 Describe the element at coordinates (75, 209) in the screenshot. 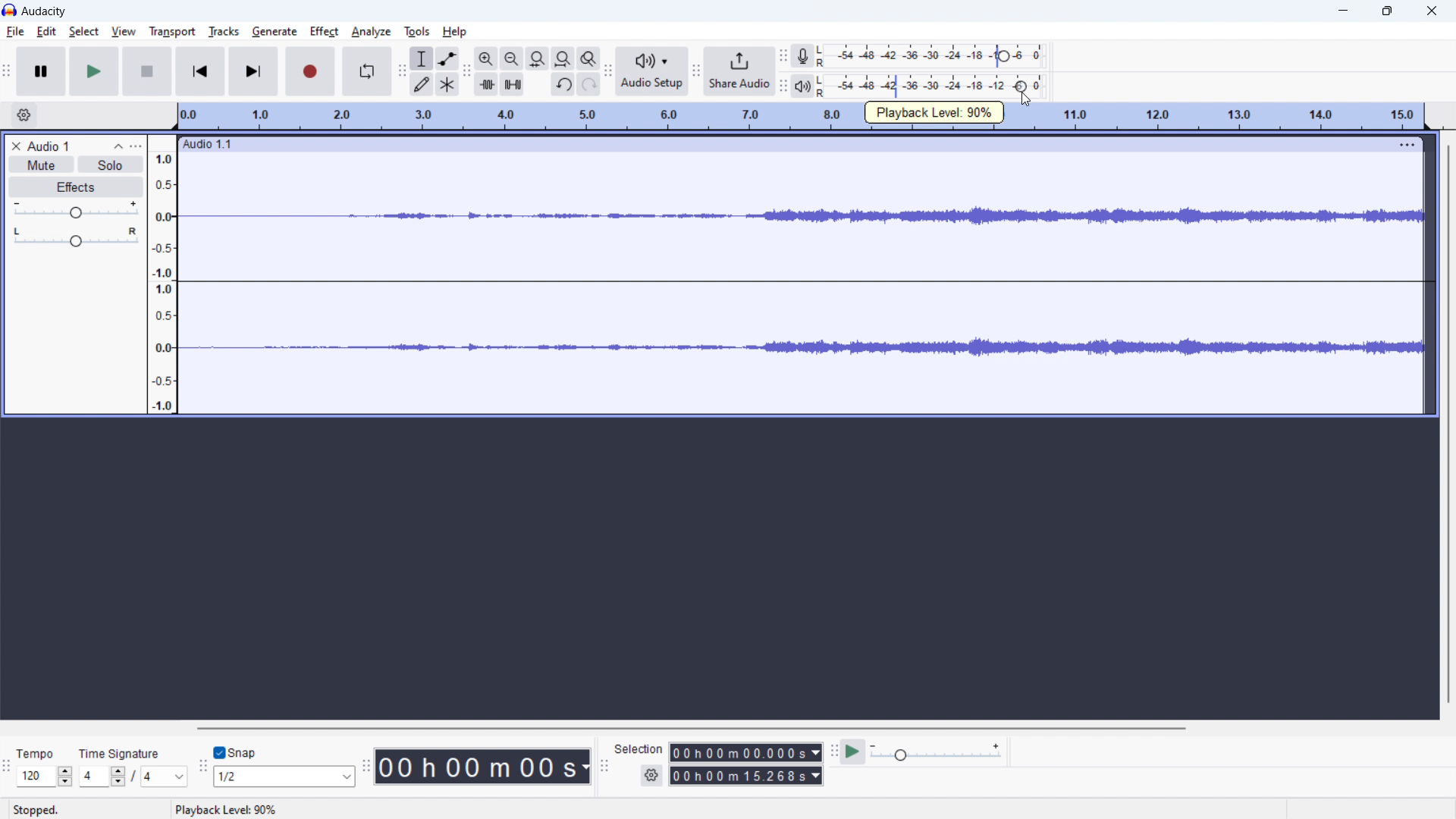

I see `volume` at that location.